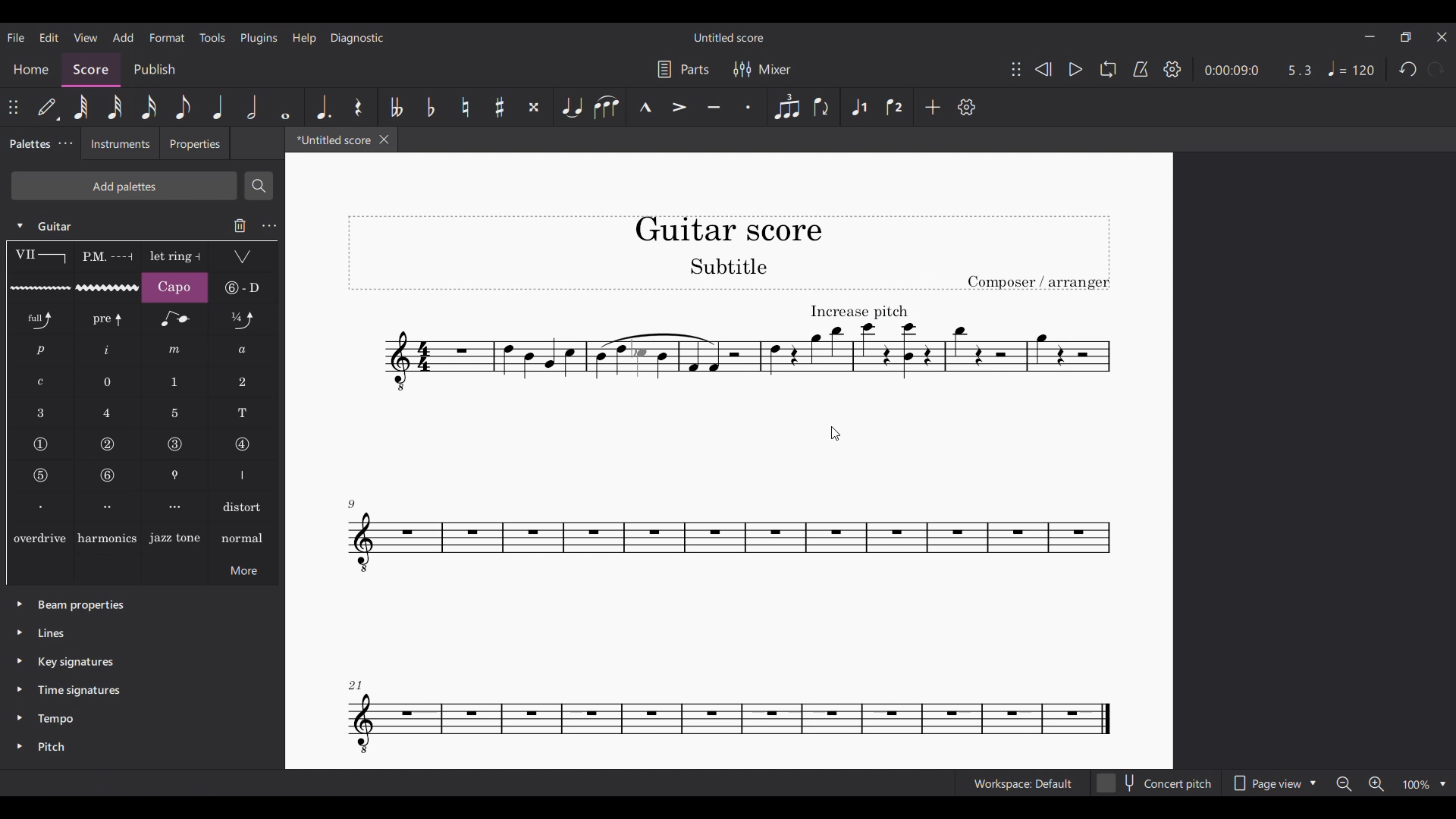 The height and width of the screenshot is (819, 1456). I want to click on Click to expand time signatures palette, so click(19, 689).